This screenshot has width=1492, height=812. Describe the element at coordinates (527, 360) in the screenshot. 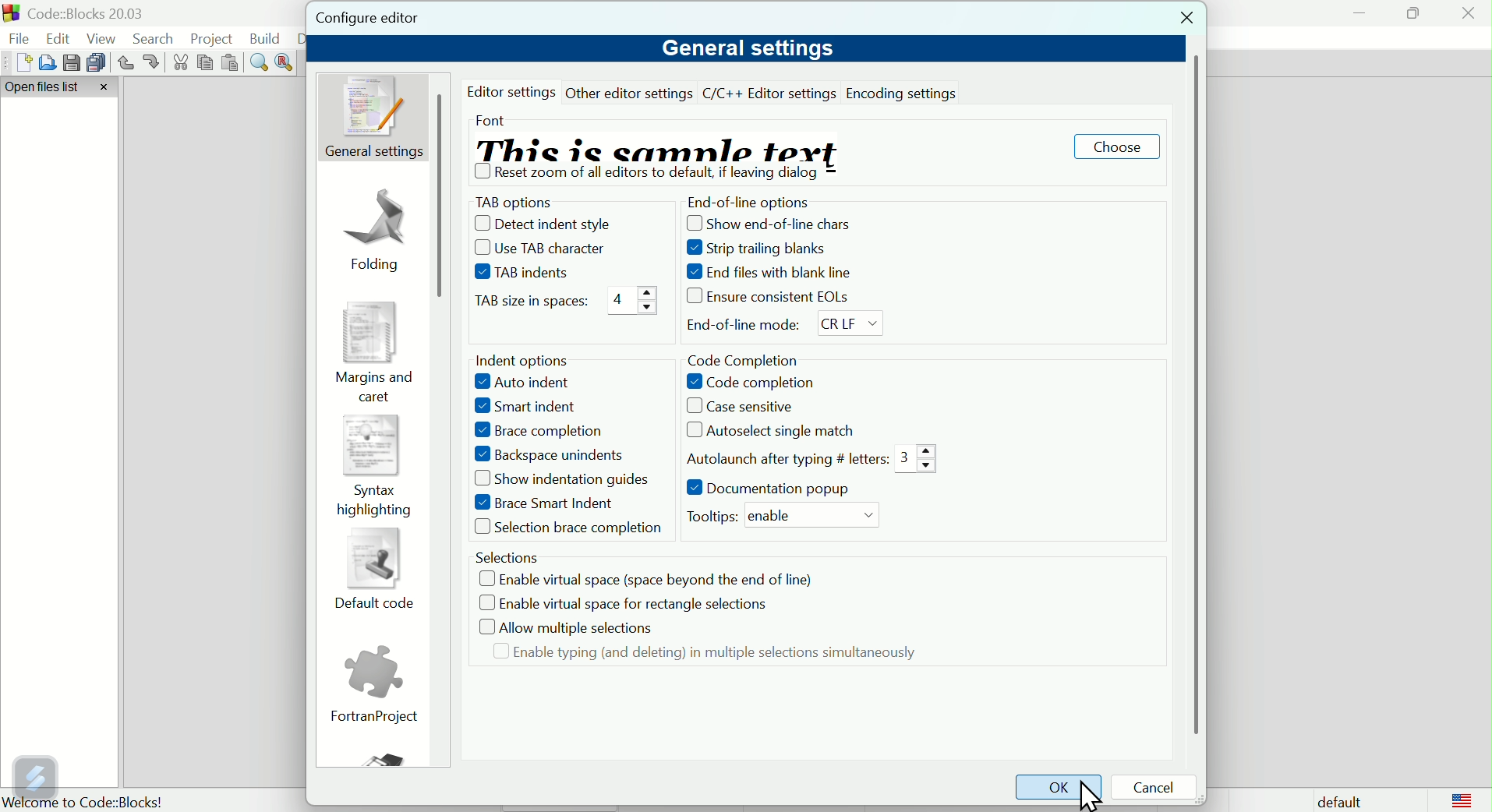

I see `Intent options` at that location.